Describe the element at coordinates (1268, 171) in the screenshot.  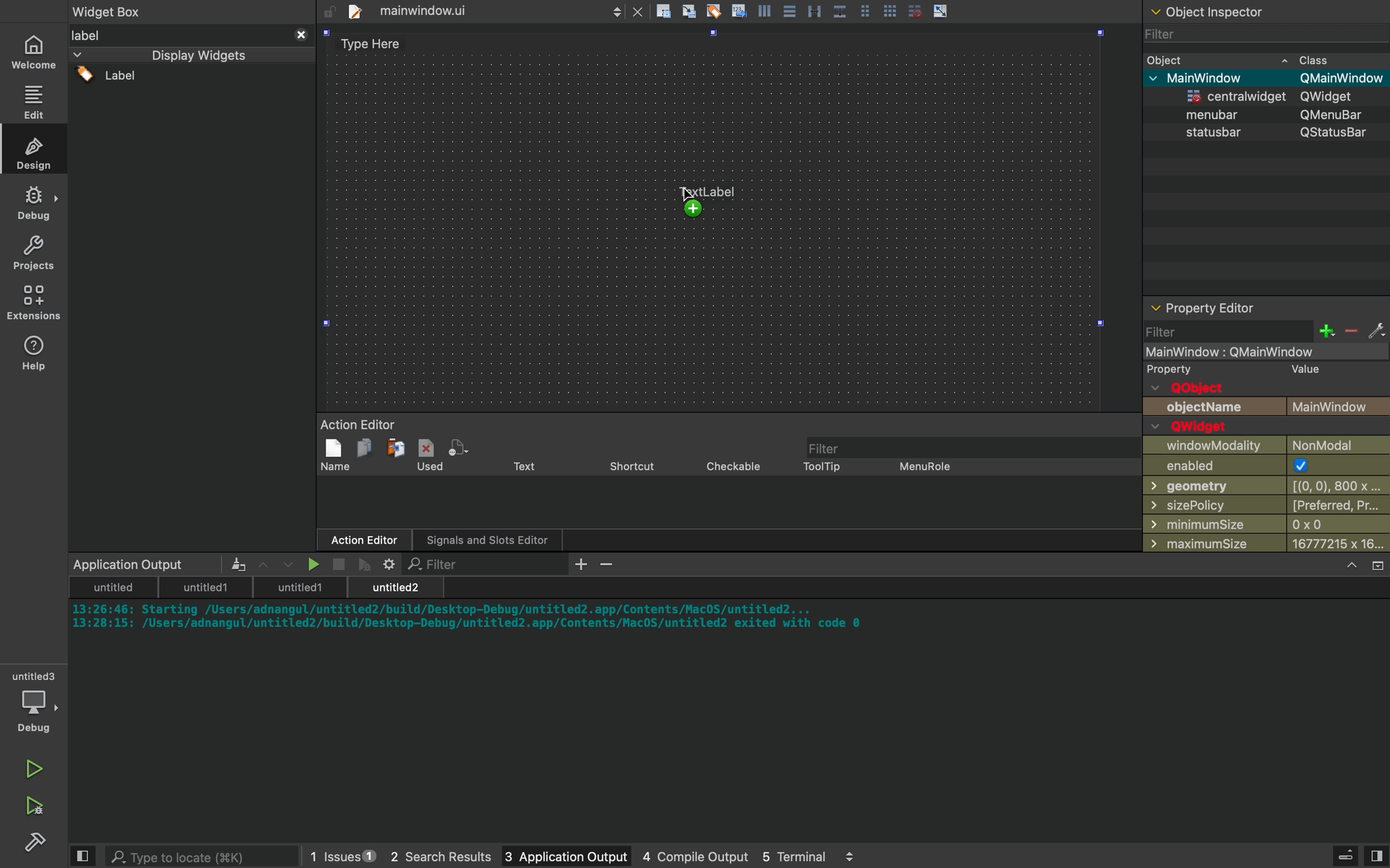
I see `widget class` at that location.